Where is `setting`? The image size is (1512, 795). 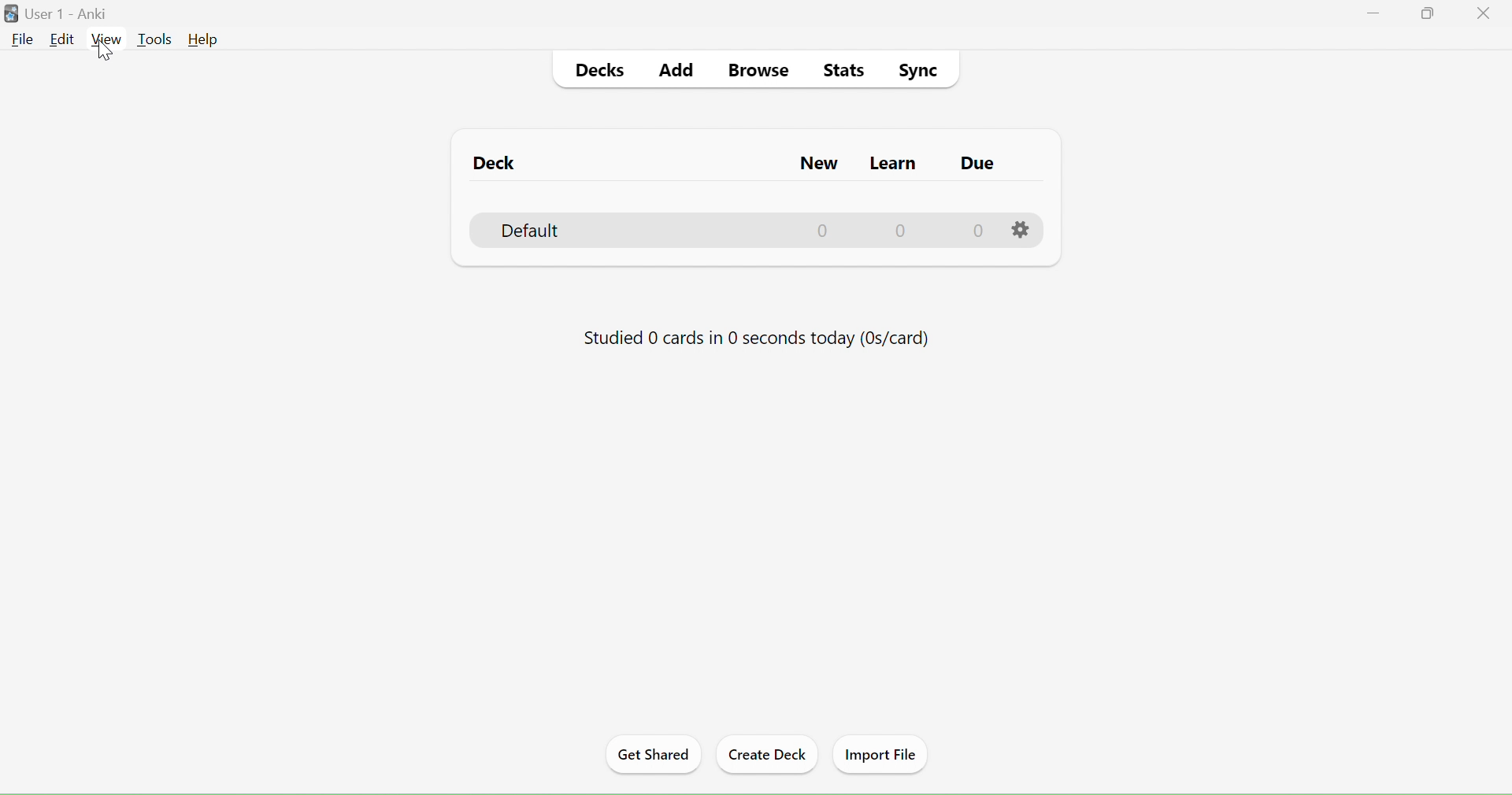 setting is located at coordinates (1020, 227).